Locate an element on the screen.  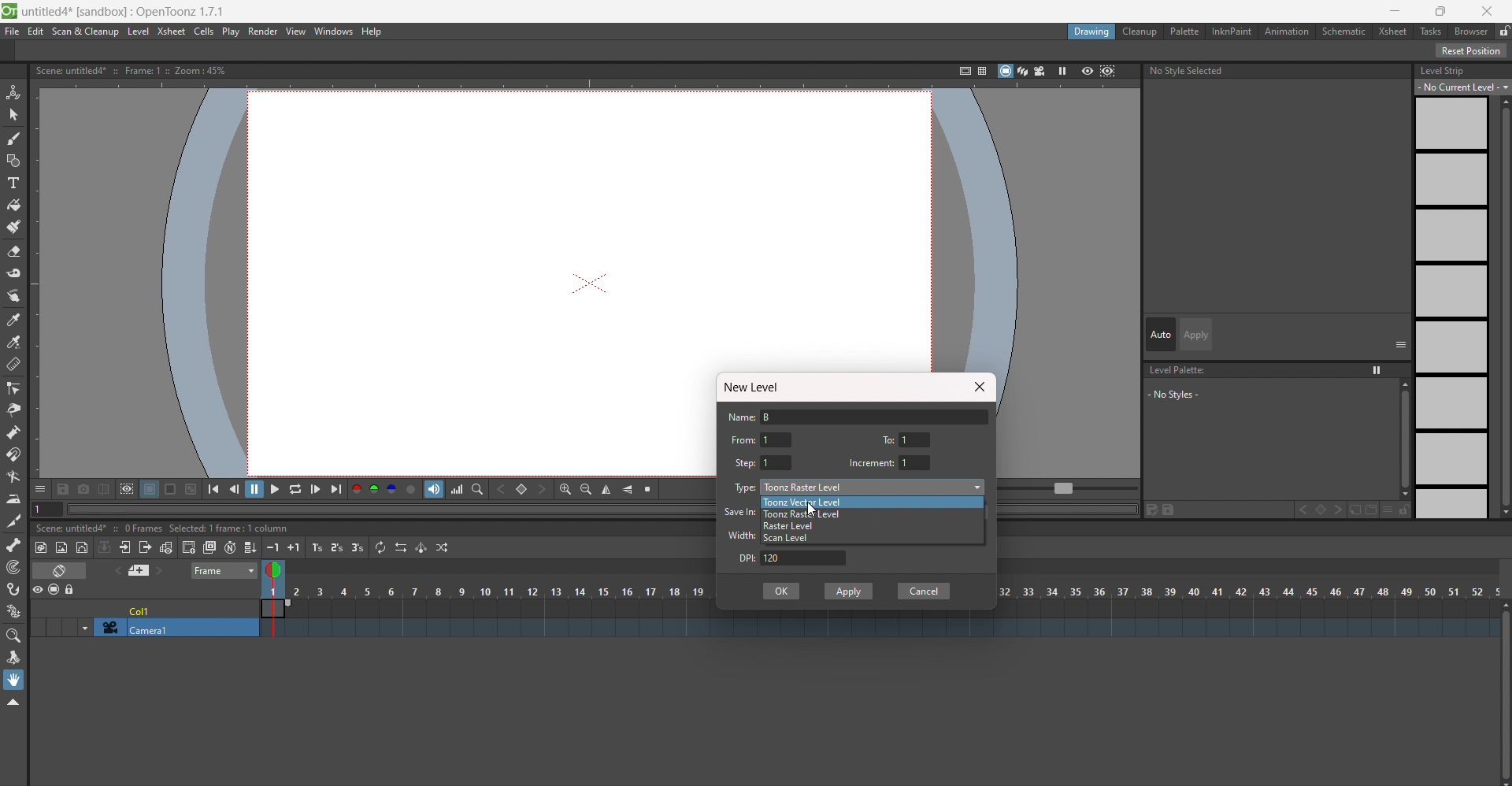
1 is located at coordinates (917, 462).